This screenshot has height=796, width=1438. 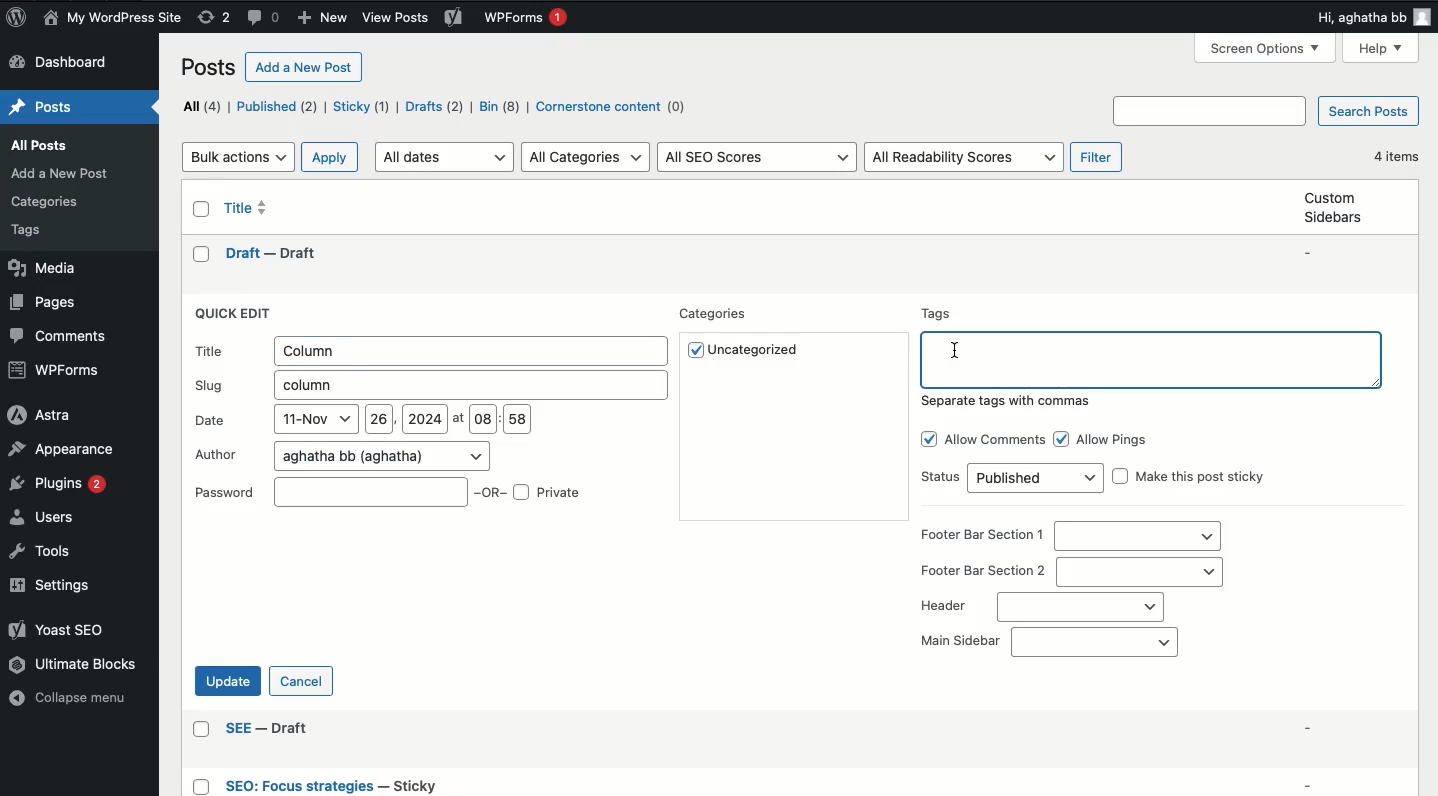 I want to click on Revisions, so click(x=215, y=18).